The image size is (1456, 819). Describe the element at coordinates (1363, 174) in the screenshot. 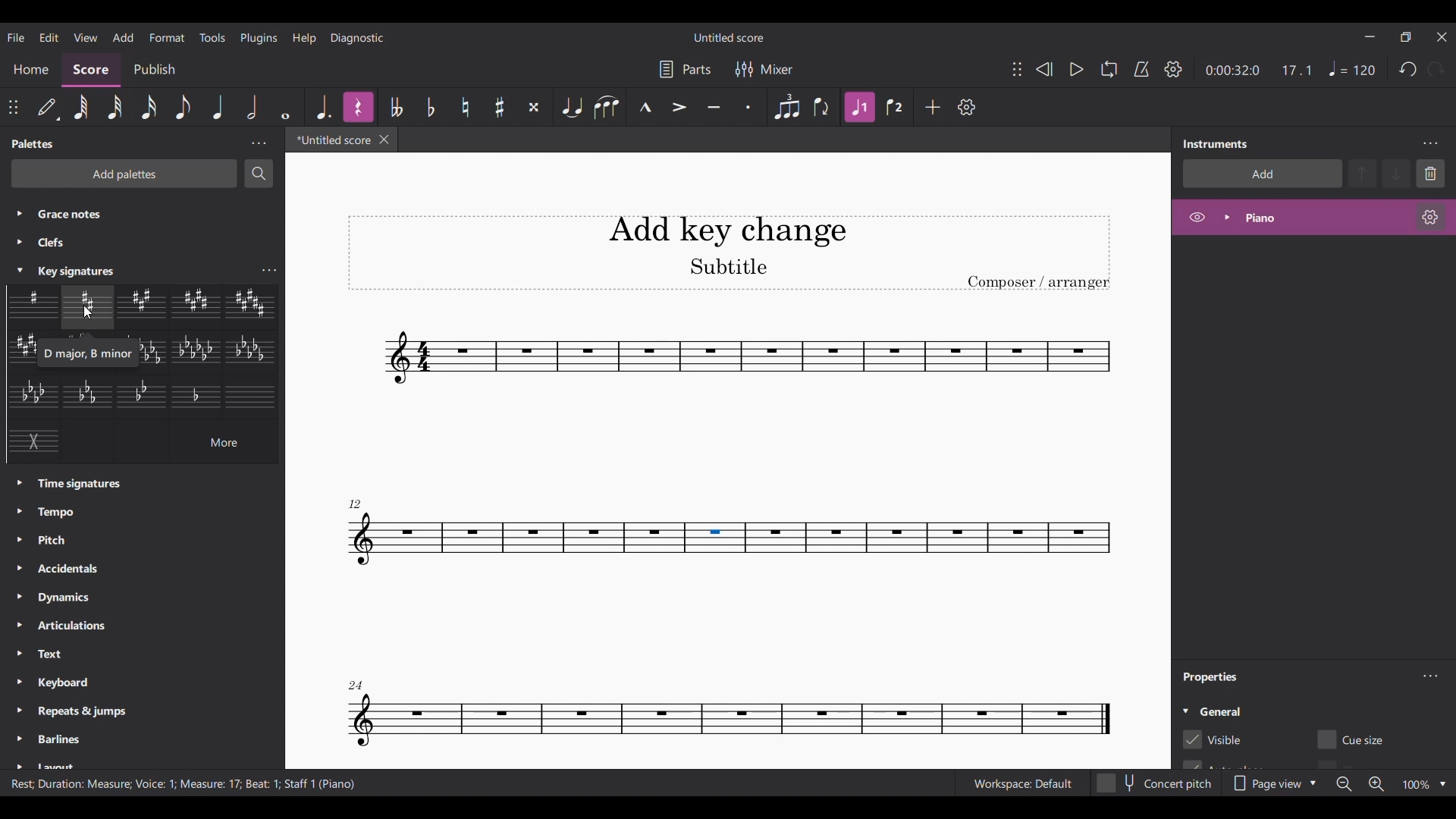

I see `Move up` at that location.